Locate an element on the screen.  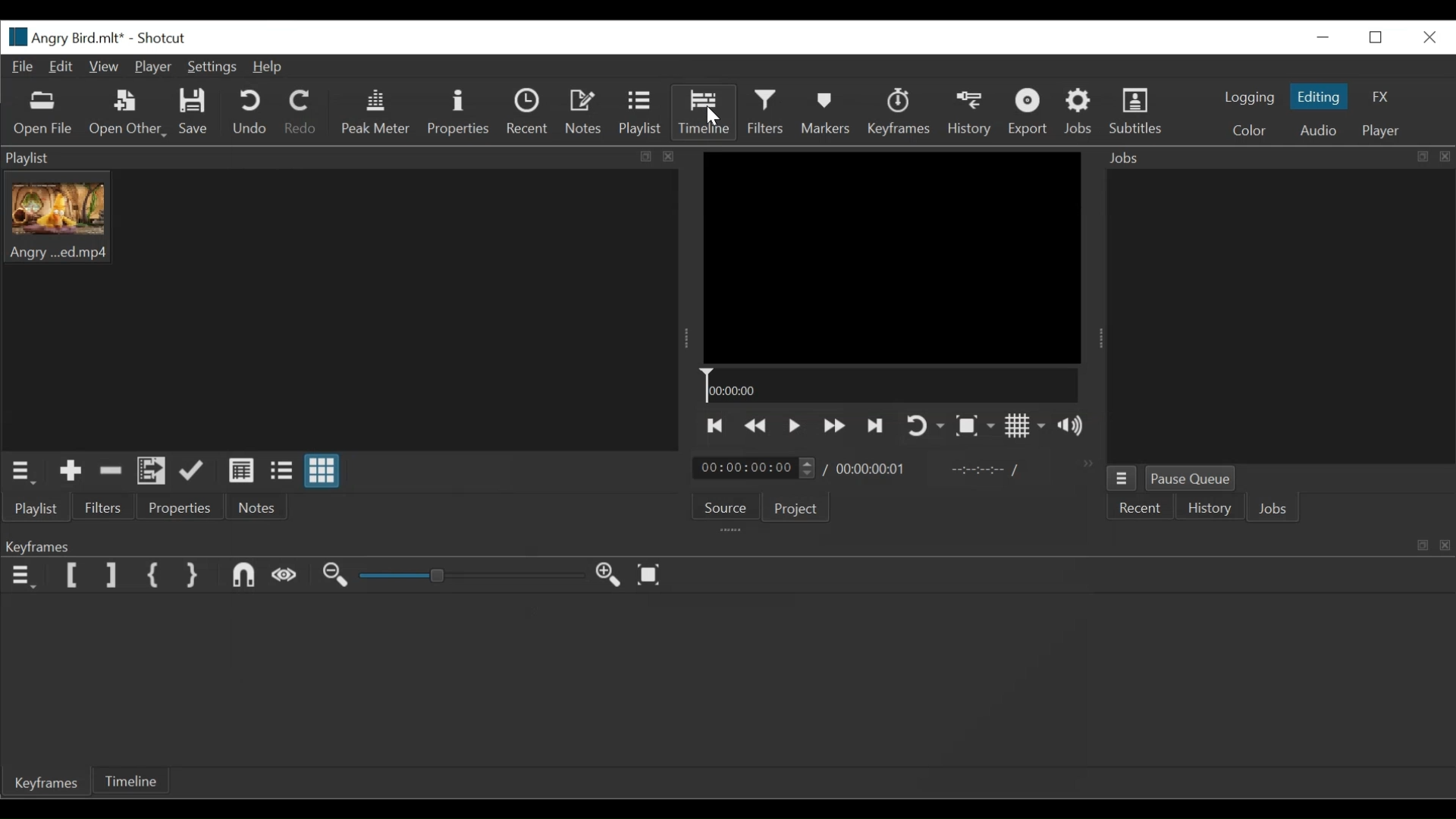
Remove cut is located at coordinates (108, 471).